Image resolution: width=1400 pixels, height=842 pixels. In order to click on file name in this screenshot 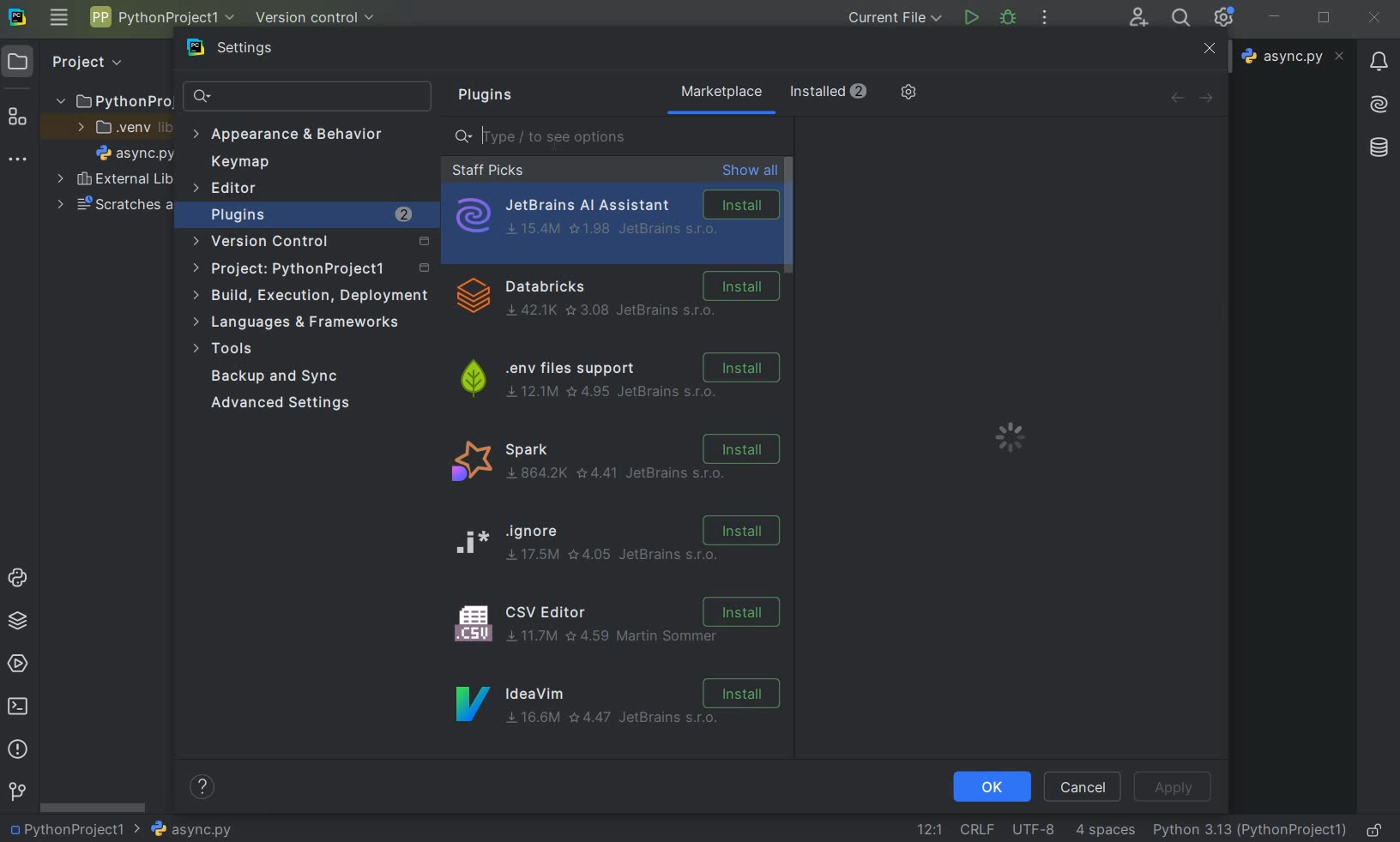, I will do `click(1293, 57)`.